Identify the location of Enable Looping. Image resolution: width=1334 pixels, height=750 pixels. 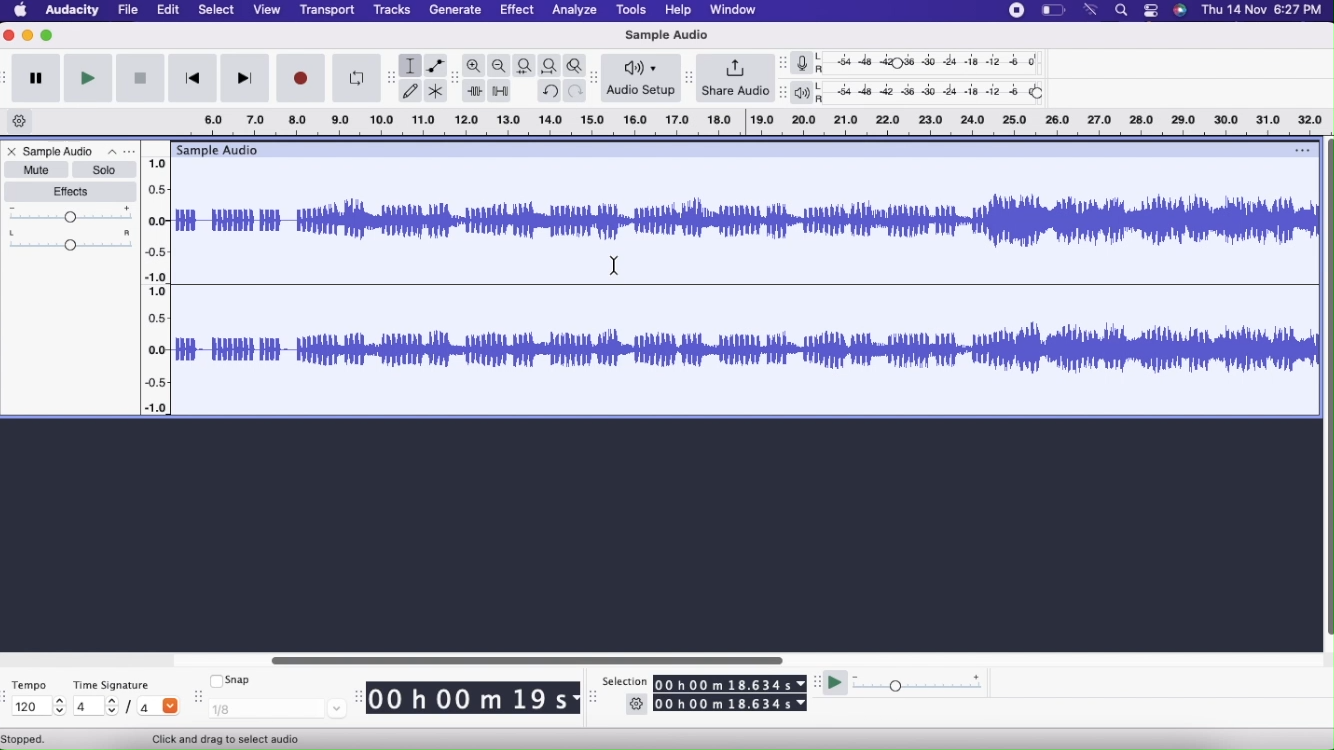
(358, 78).